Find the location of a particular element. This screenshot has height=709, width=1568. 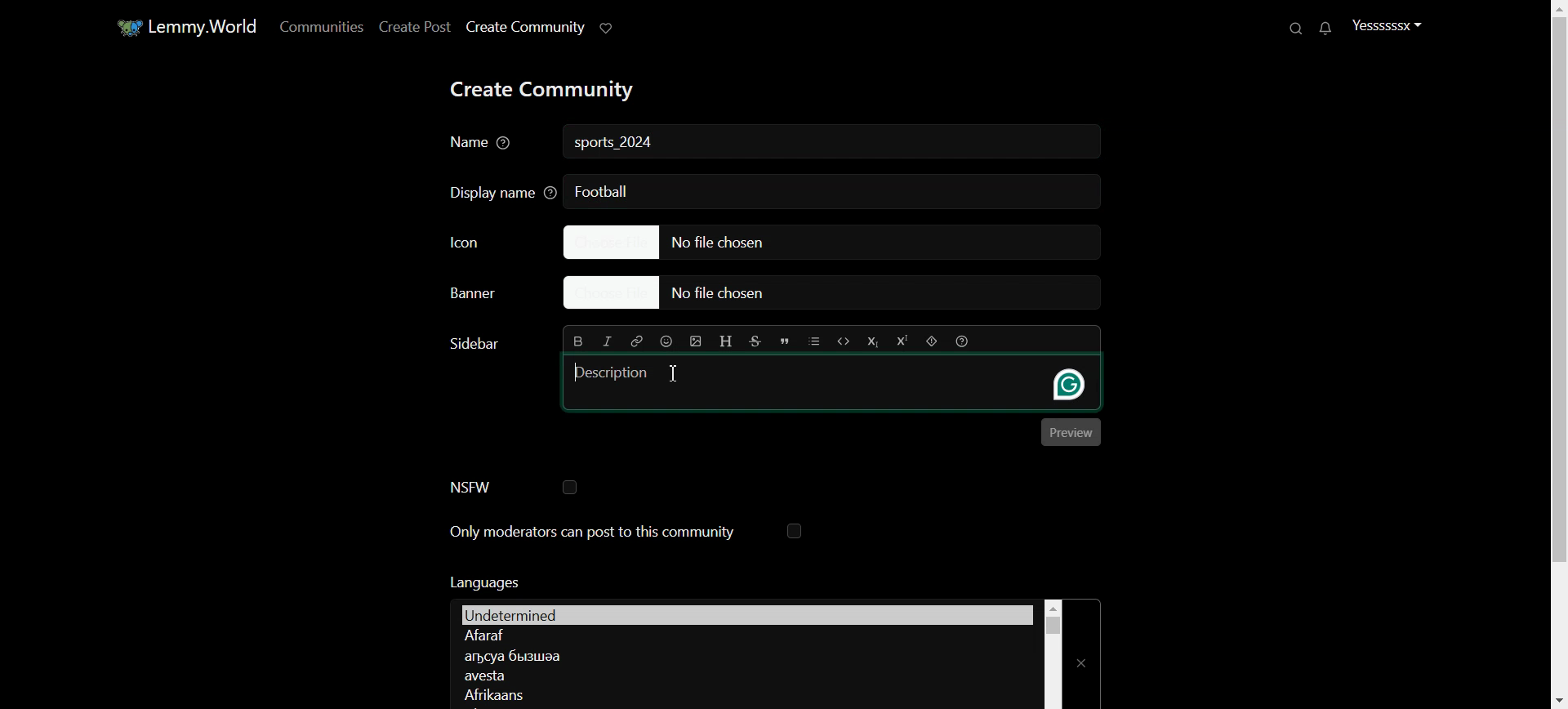

Choose Banner is located at coordinates (487, 296).